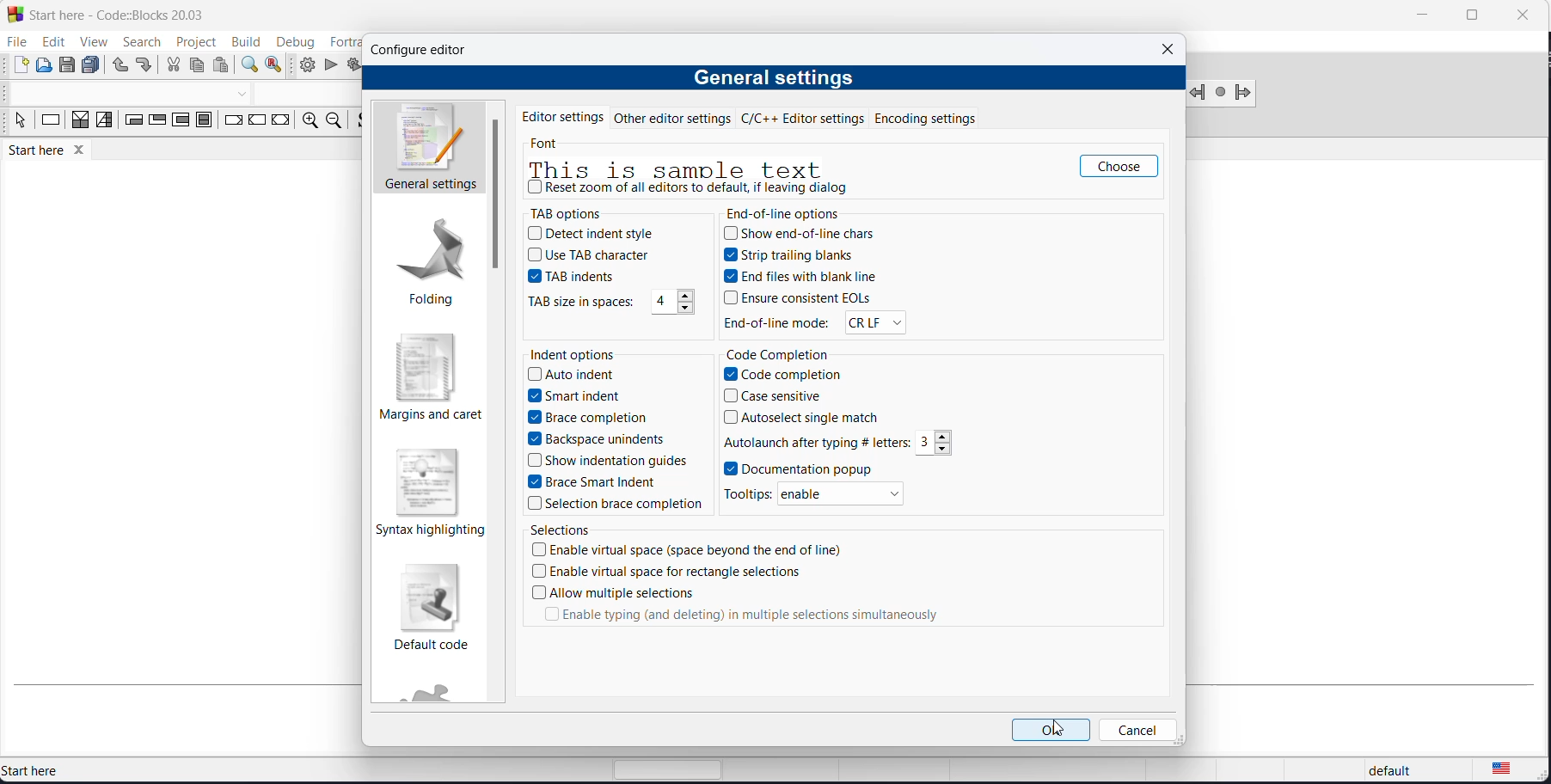 The width and height of the screenshot is (1551, 784). What do you see at coordinates (800, 468) in the screenshot?
I see `documentation popup` at bounding box center [800, 468].